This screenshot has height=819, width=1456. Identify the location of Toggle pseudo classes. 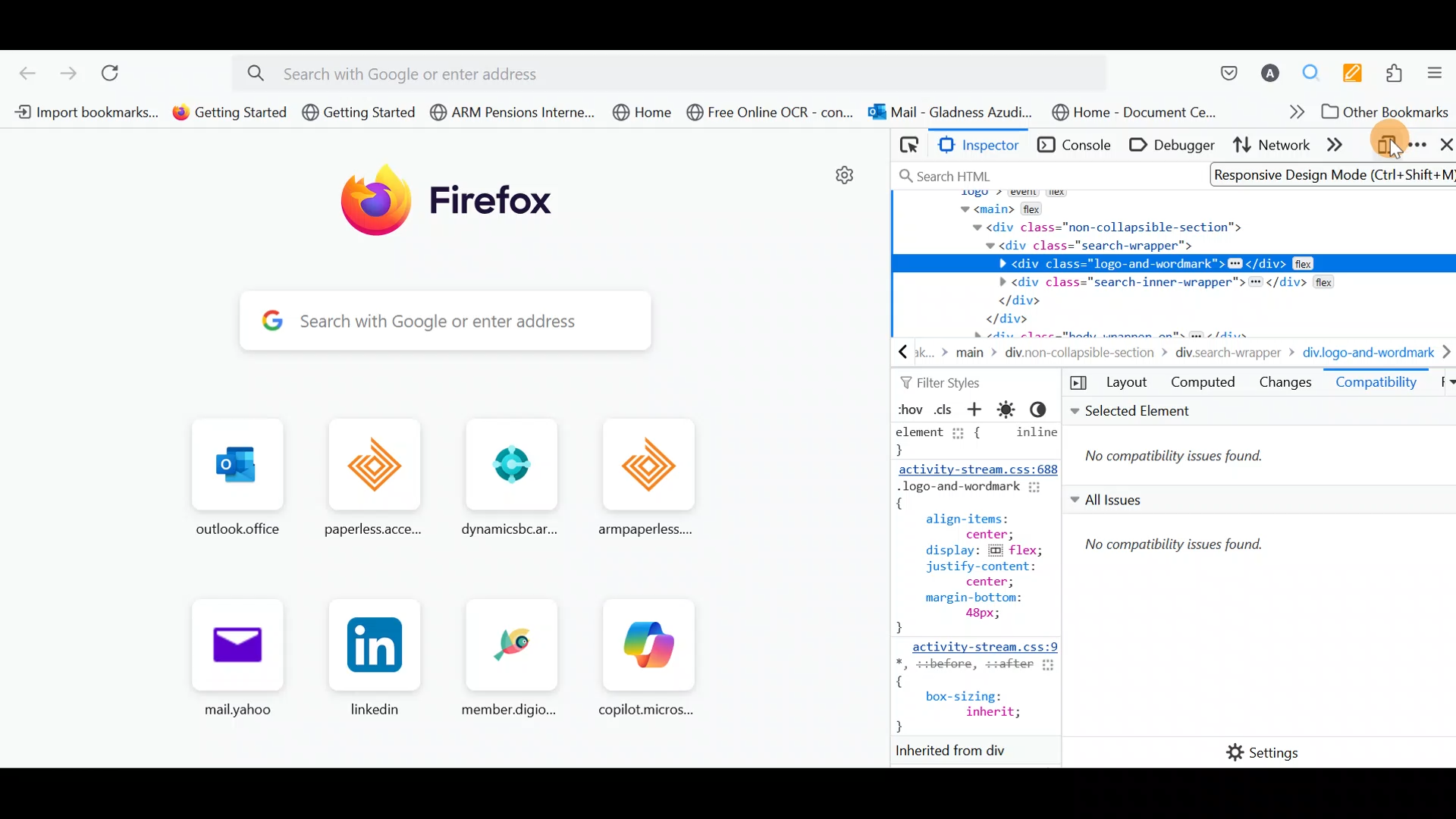
(908, 409).